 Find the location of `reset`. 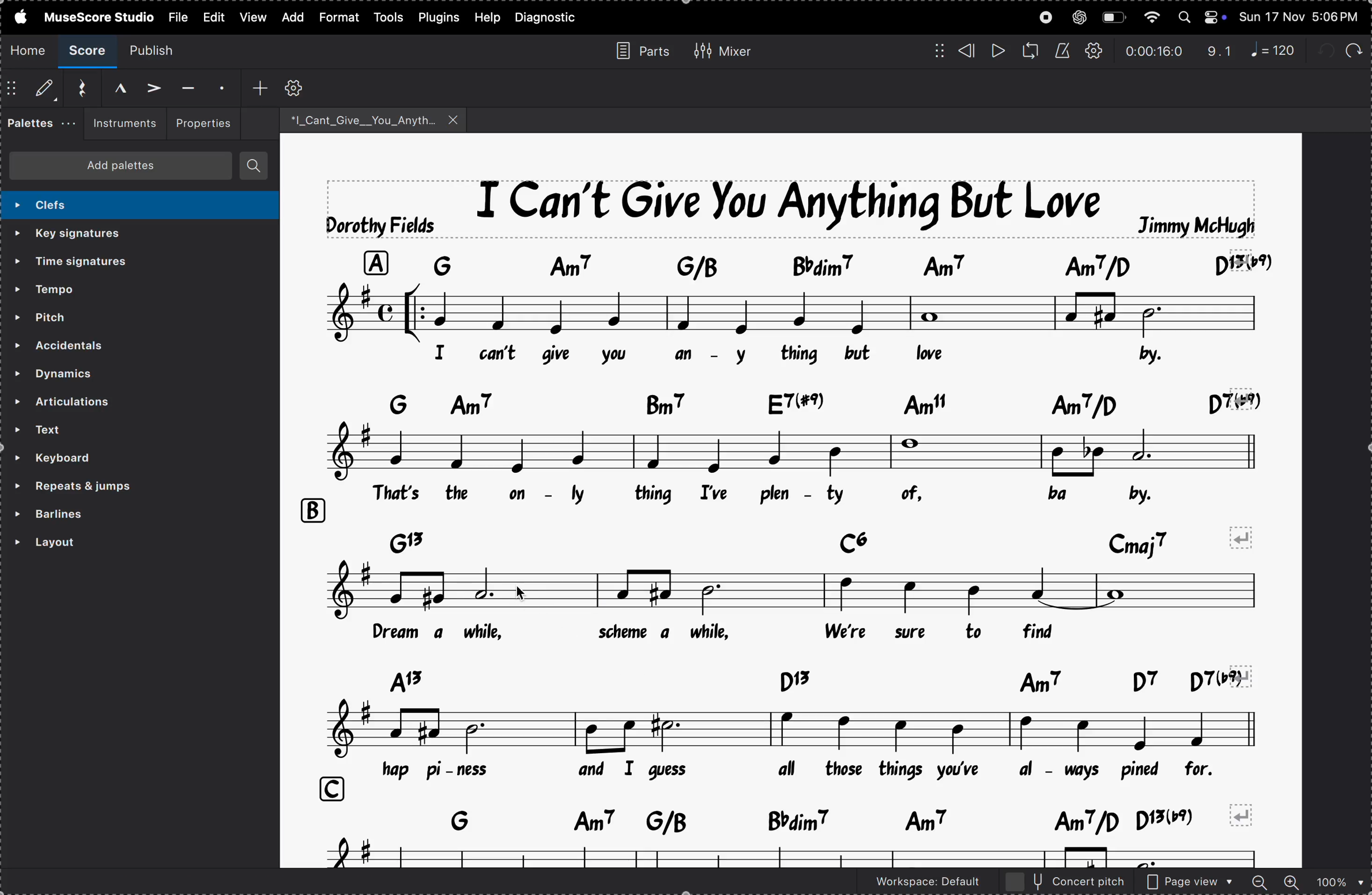

reset is located at coordinates (77, 88).